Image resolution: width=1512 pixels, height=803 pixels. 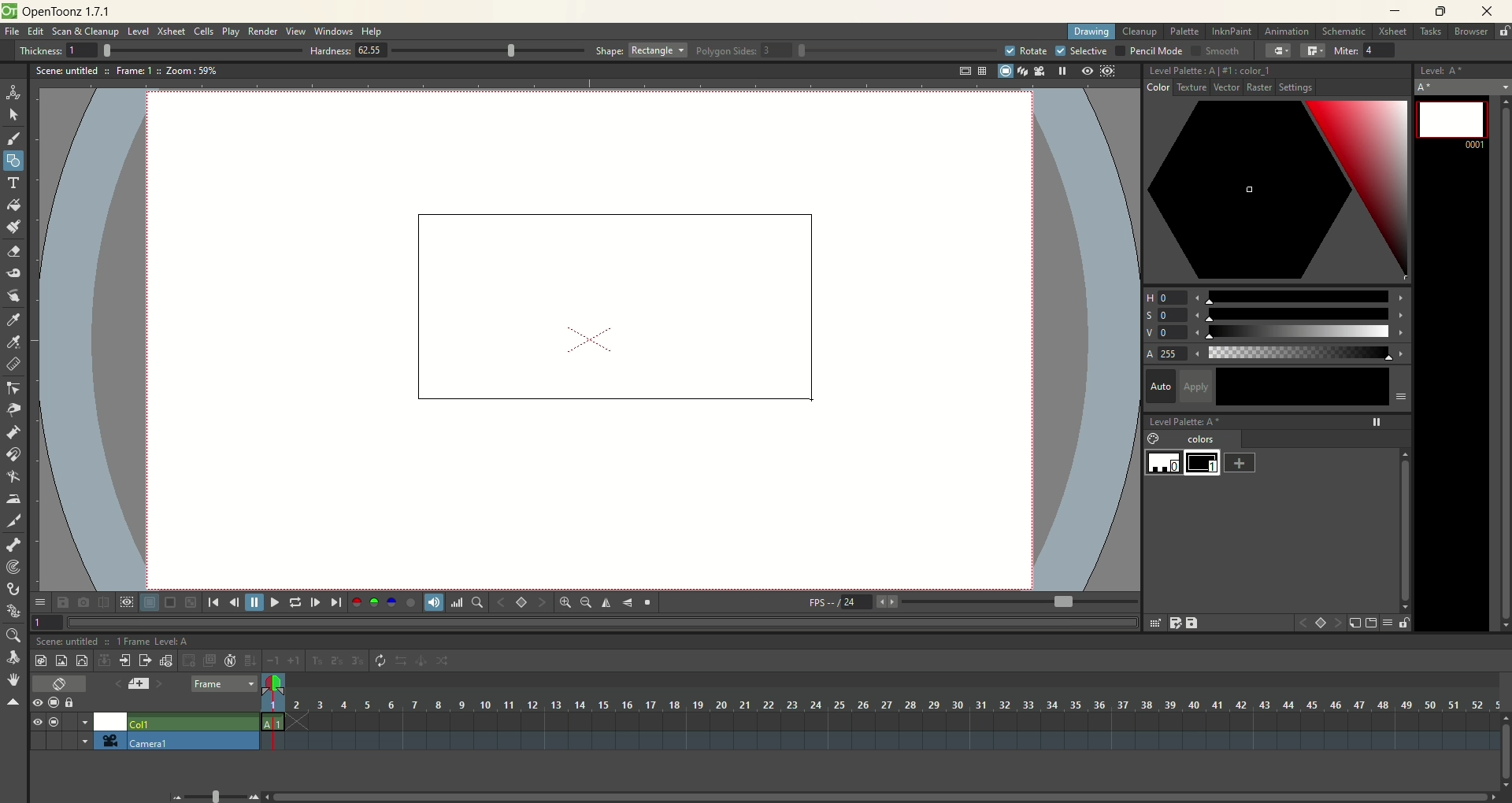 I want to click on zoom in, so click(x=565, y=602).